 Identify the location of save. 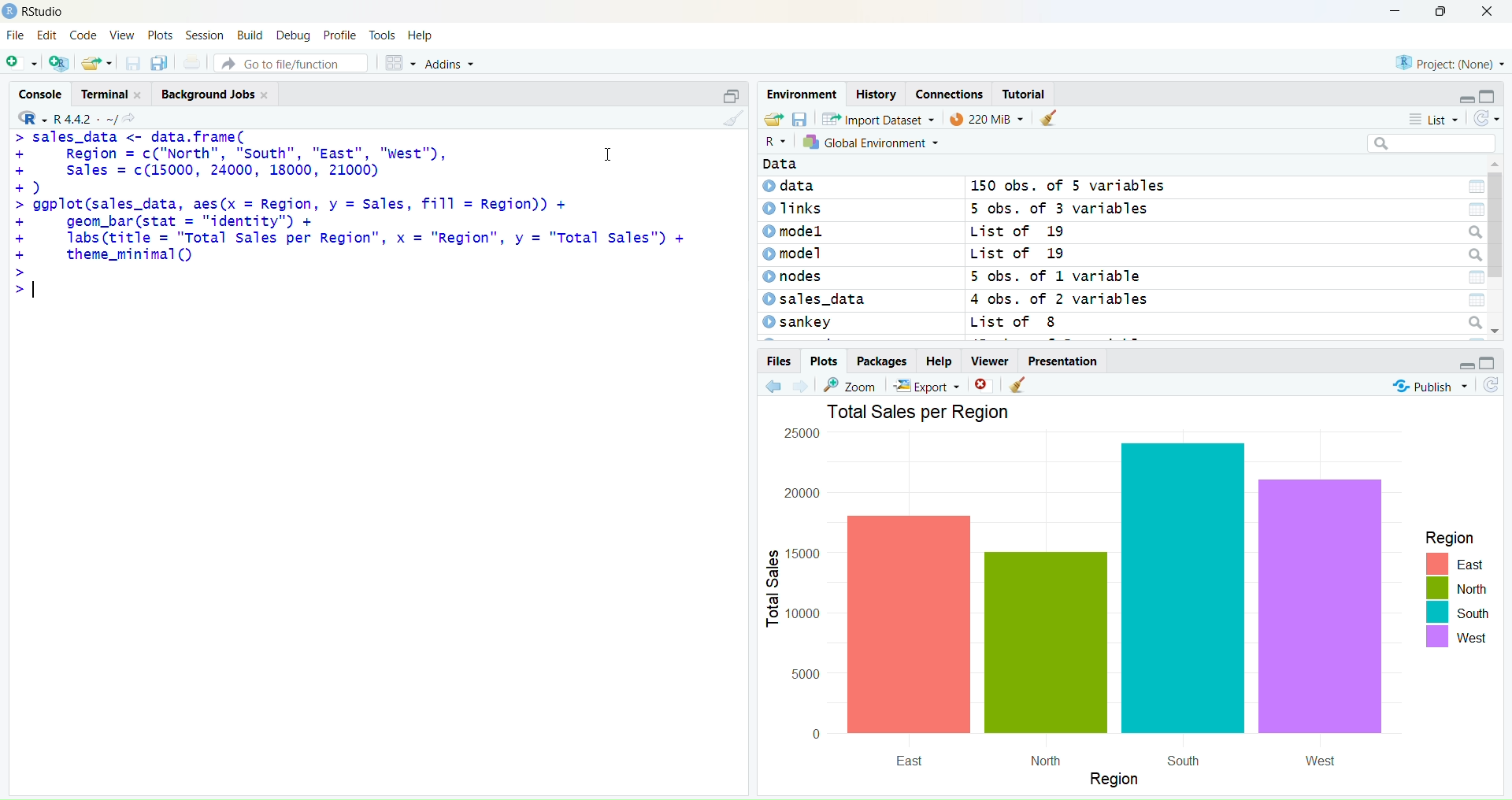
(804, 120).